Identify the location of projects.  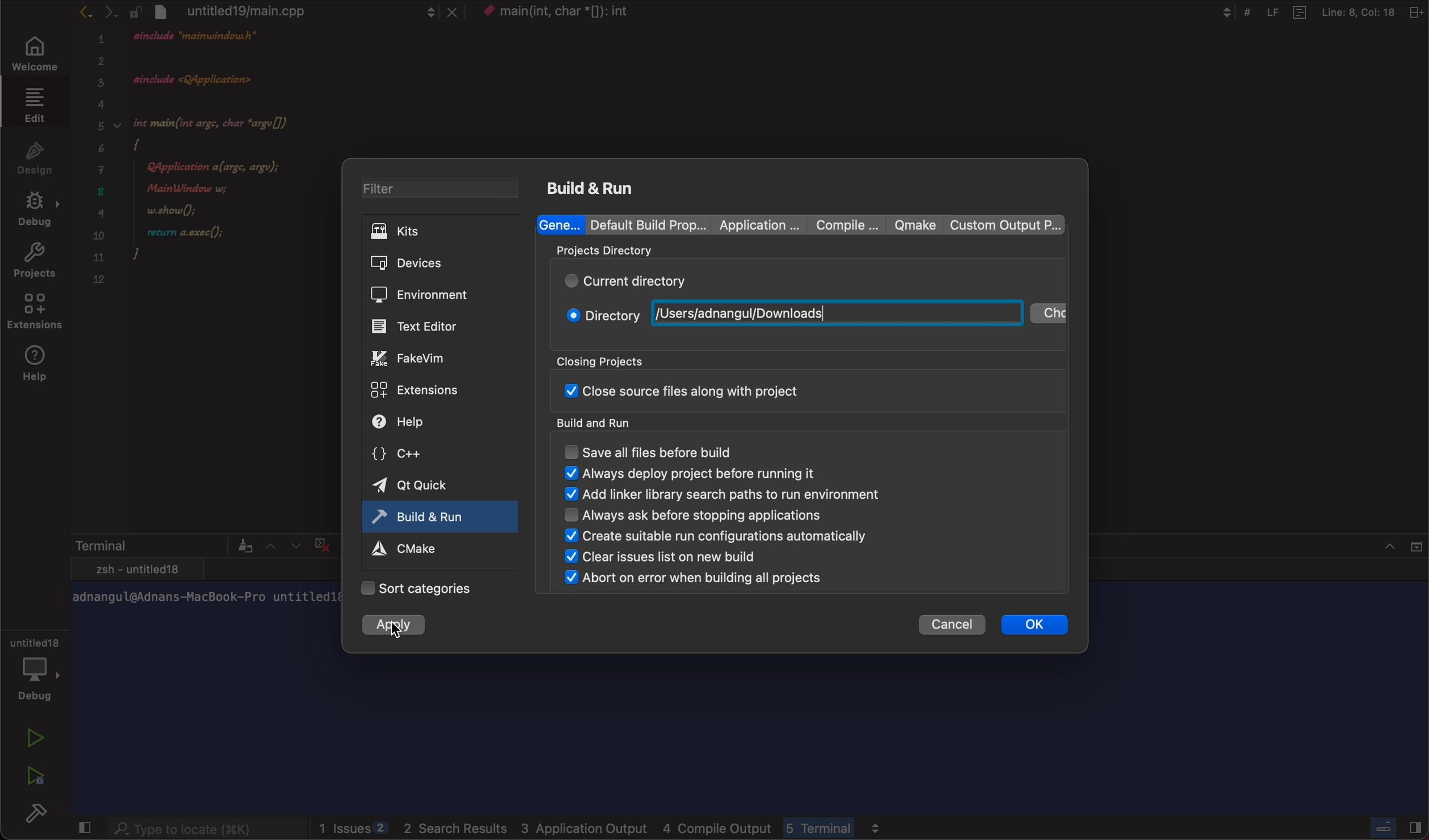
(32, 258).